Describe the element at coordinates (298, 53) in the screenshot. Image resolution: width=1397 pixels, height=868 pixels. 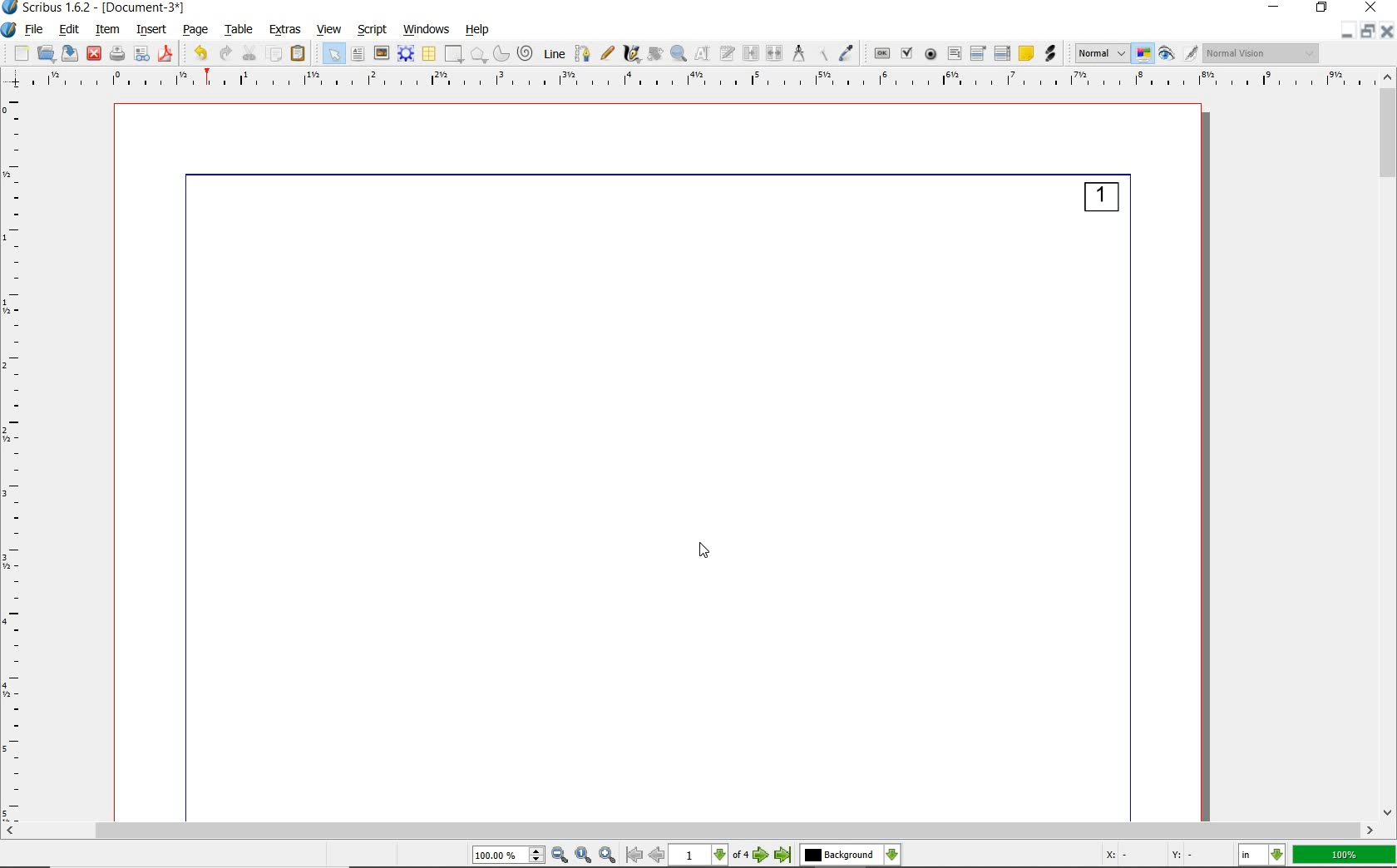
I see `paste` at that location.